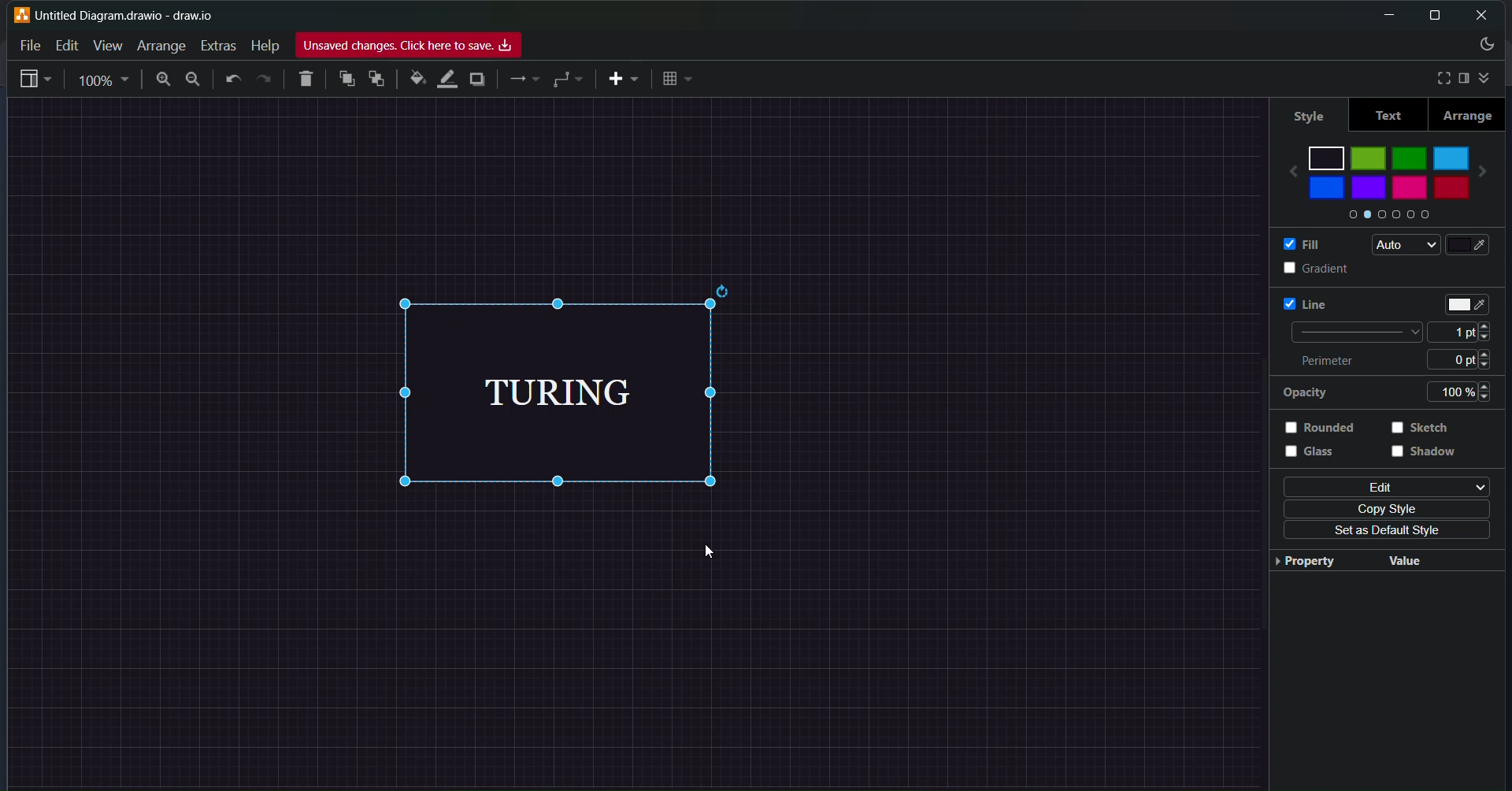 The image size is (1512, 791). I want to click on line color, so click(447, 77).